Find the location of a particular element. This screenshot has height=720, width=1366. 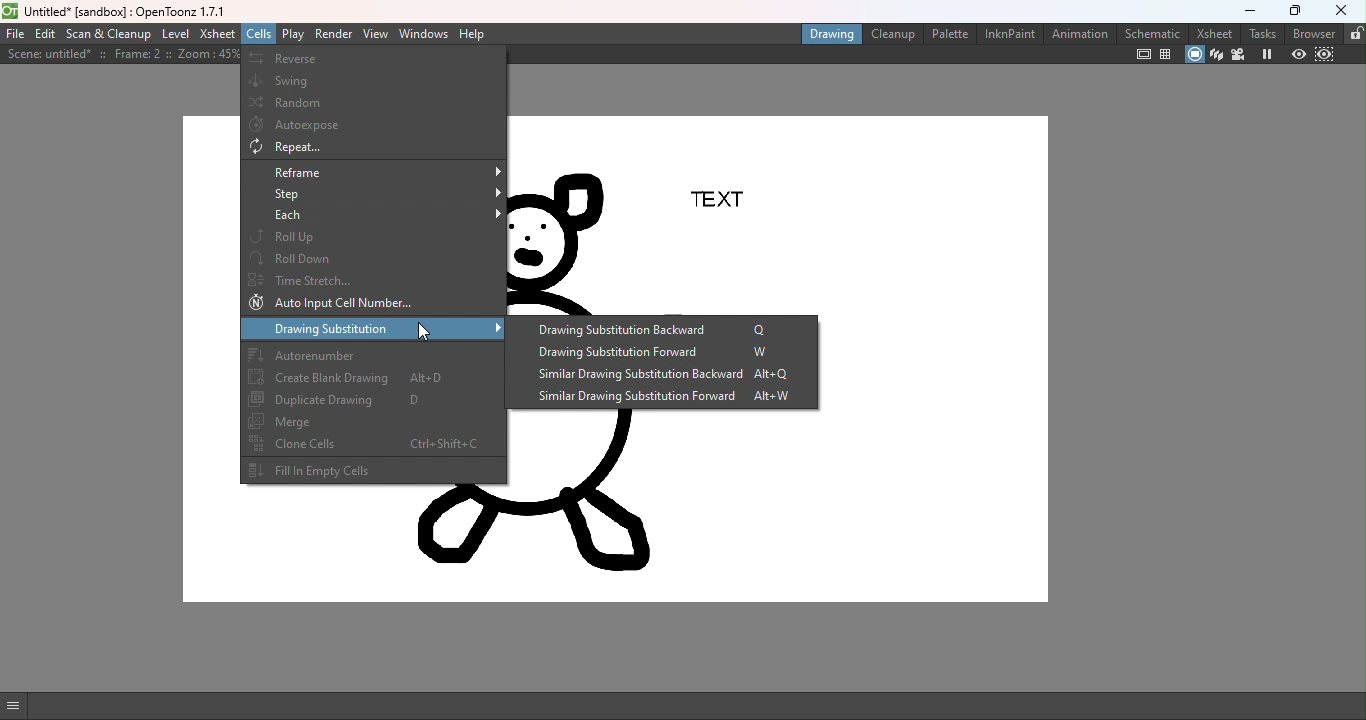

Xsheet is located at coordinates (1211, 33).